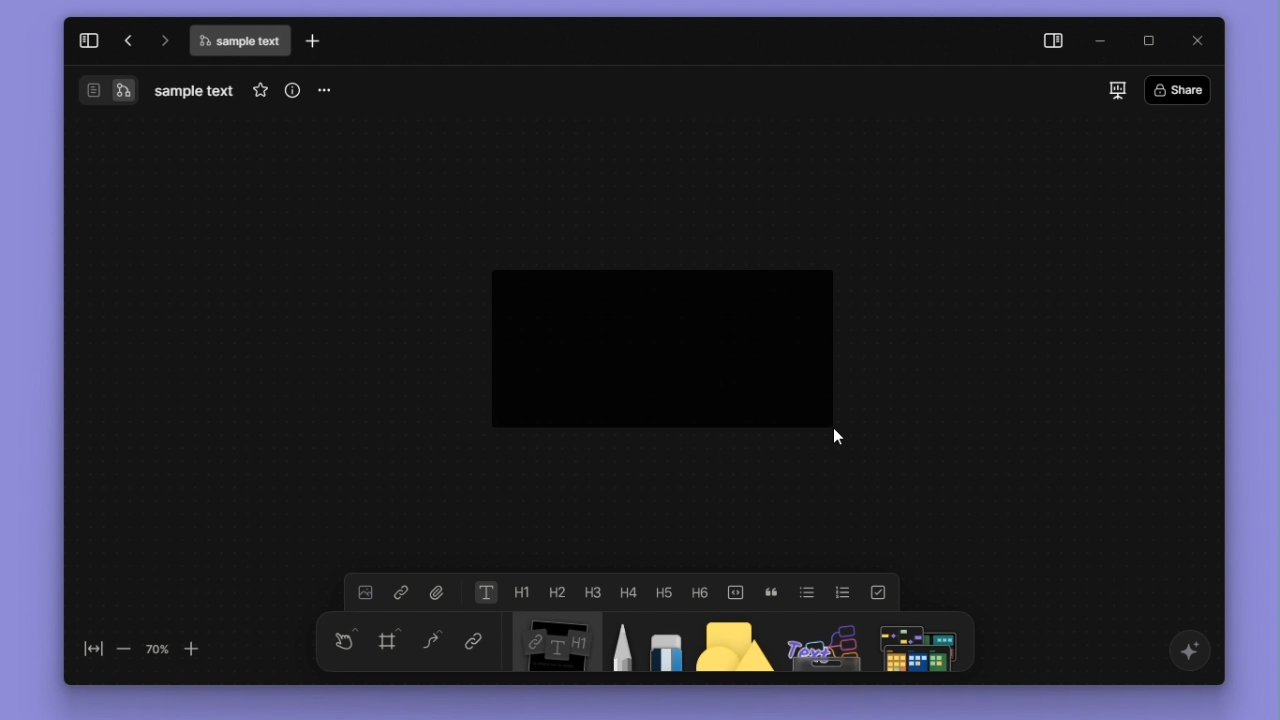 This screenshot has width=1280, height=720. Describe the element at coordinates (522, 592) in the screenshot. I see `heading 1` at that location.